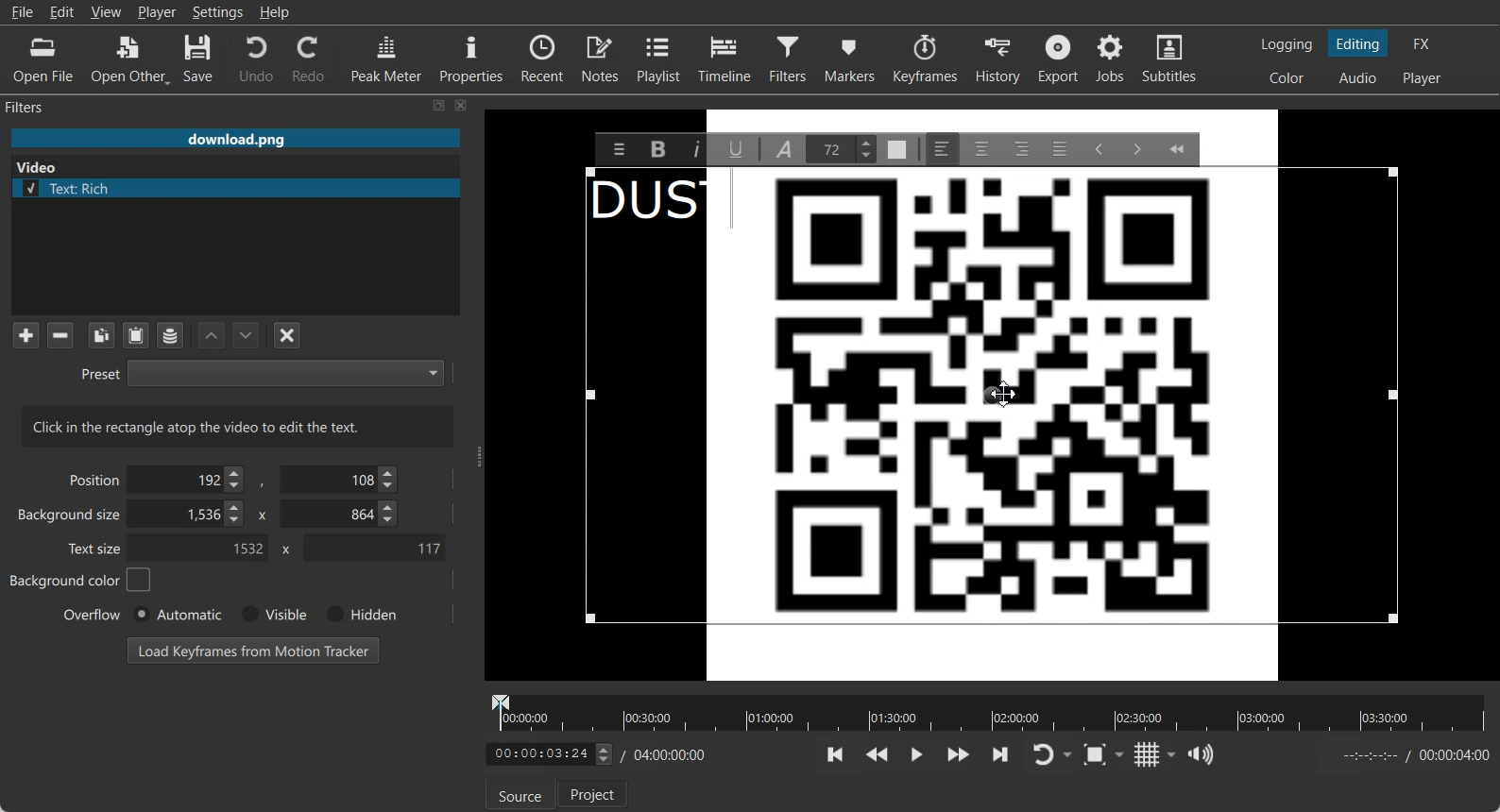 The width and height of the screenshot is (1500, 812). What do you see at coordinates (43, 60) in the screenshot?
I see `Open File` at bounding box center [43, 60].